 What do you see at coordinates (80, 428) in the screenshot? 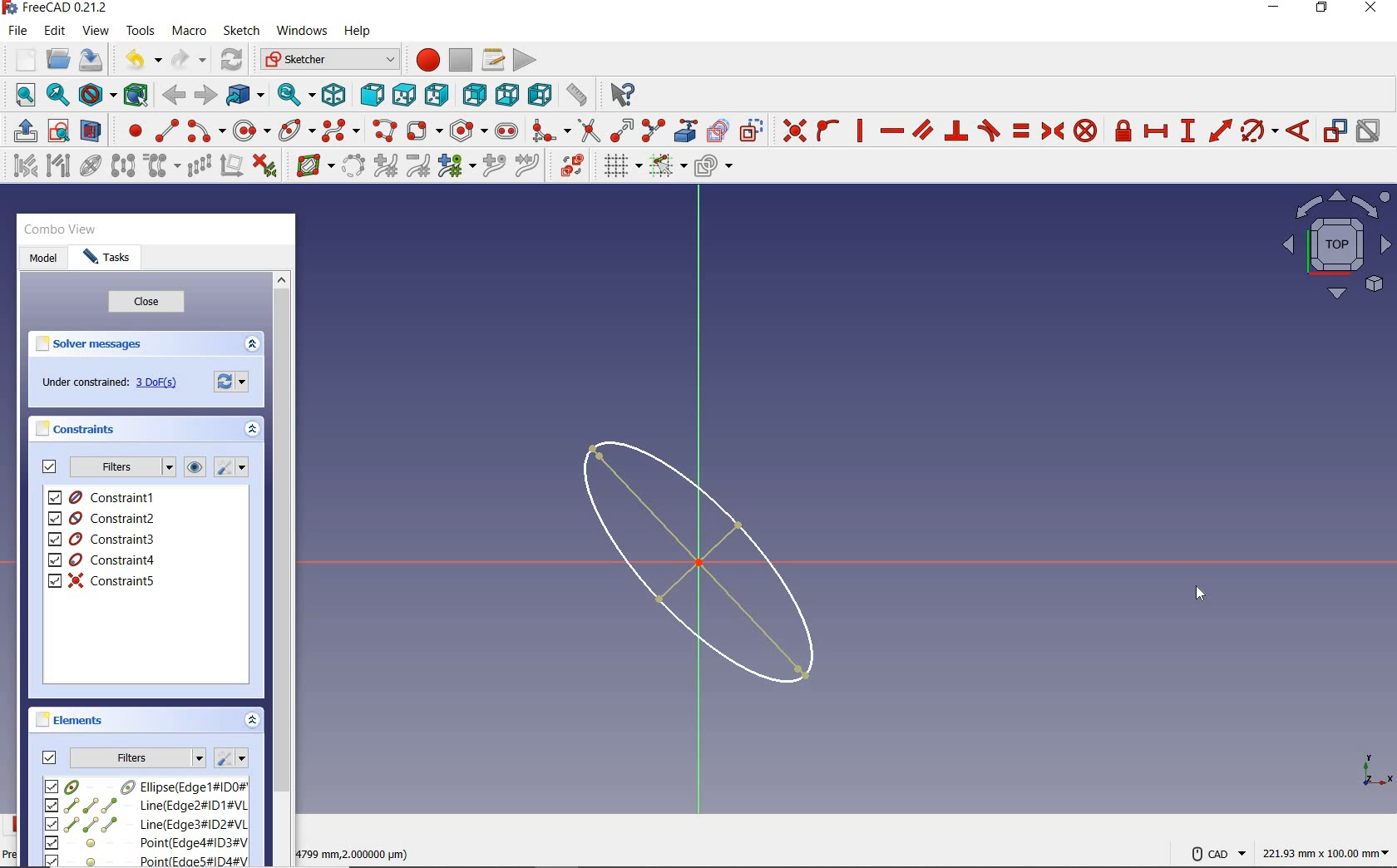
I see `constraints` at bounding box center [80, 428].